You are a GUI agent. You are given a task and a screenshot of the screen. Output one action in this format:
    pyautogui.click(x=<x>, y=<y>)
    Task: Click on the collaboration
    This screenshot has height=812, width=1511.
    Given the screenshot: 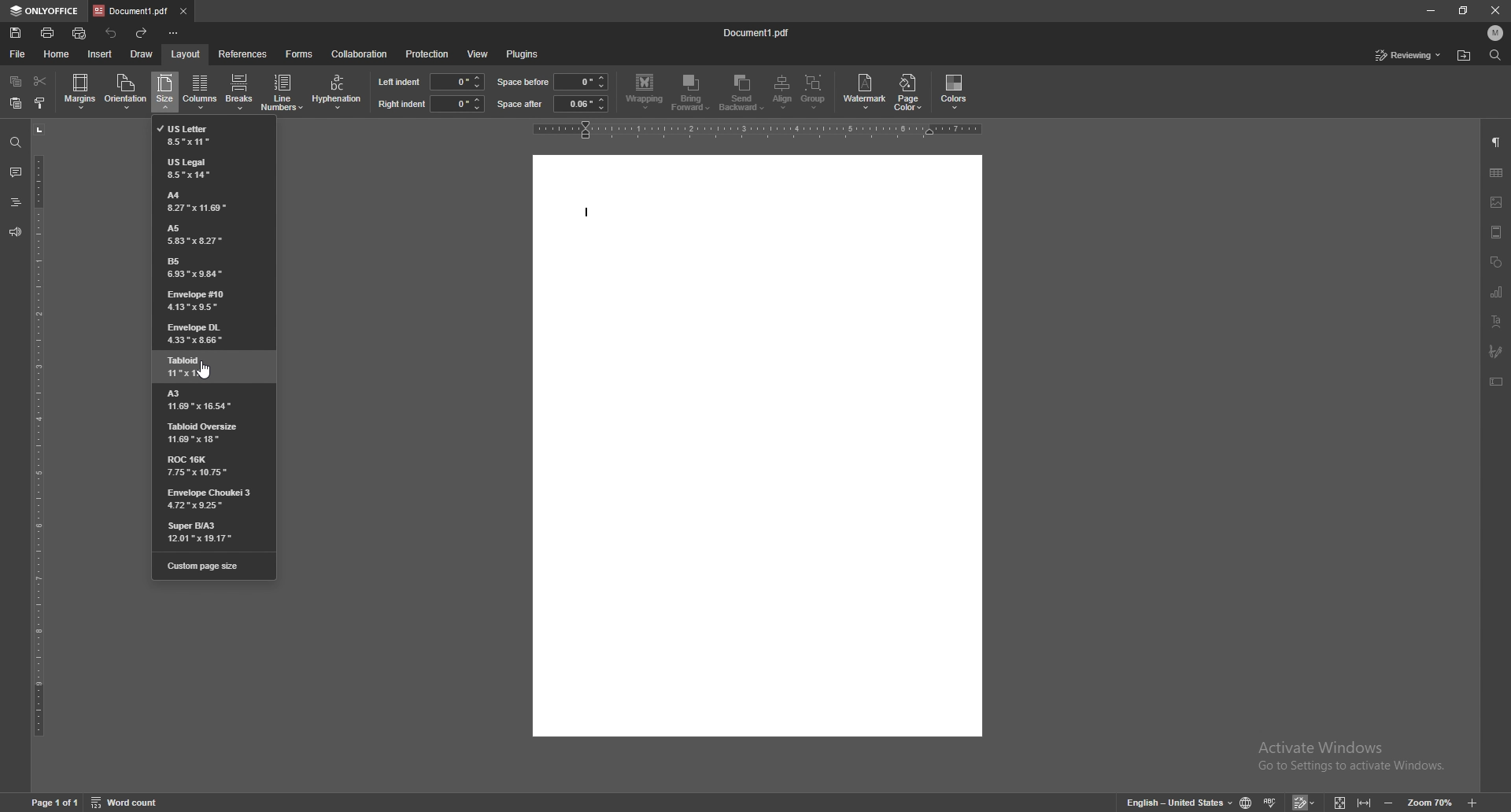 What is the action you would take?
    pyautogui.click(x=359, y=54)
    